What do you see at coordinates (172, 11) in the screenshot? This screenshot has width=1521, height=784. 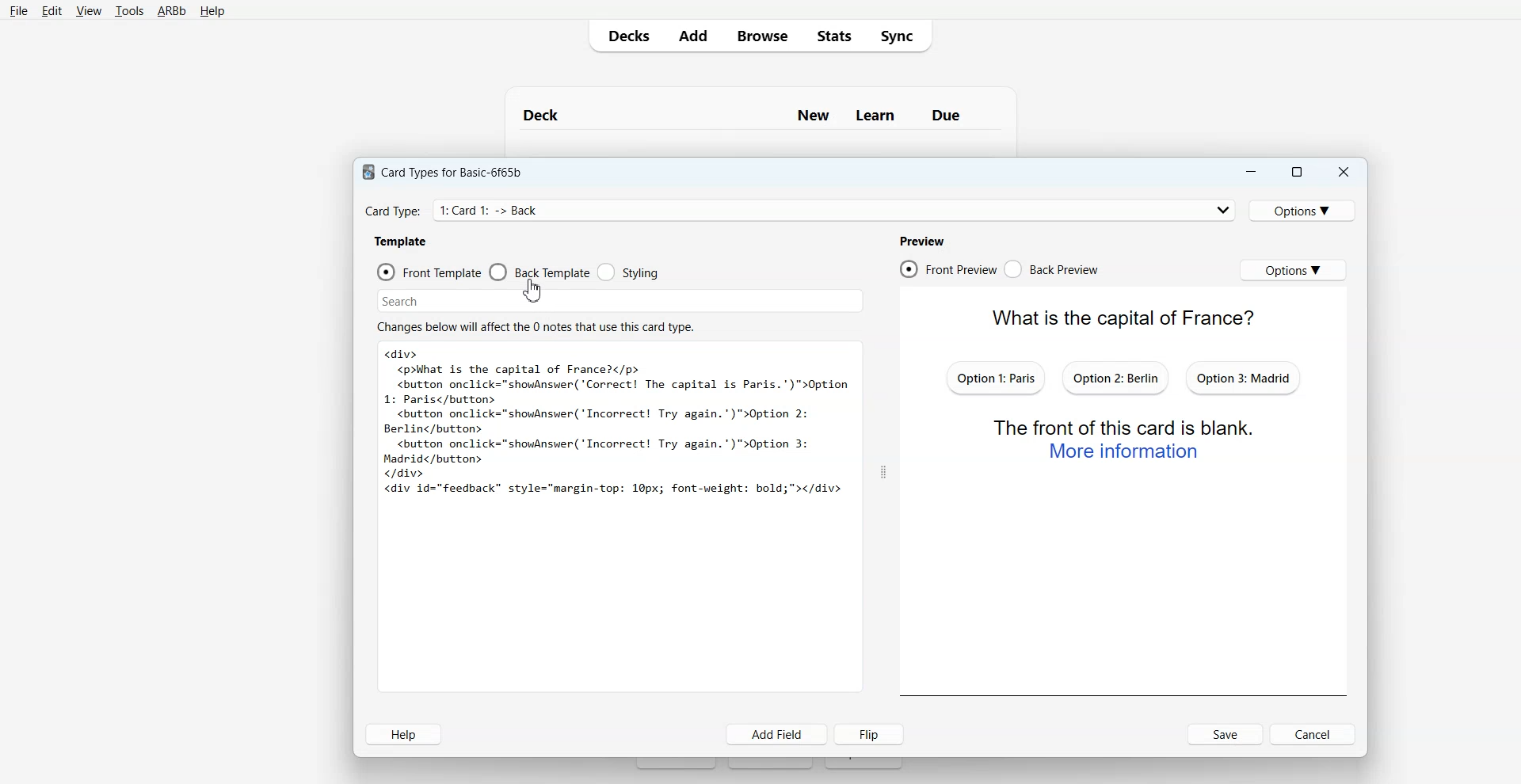 I see `ARBb` at bounding box center [172, 11].